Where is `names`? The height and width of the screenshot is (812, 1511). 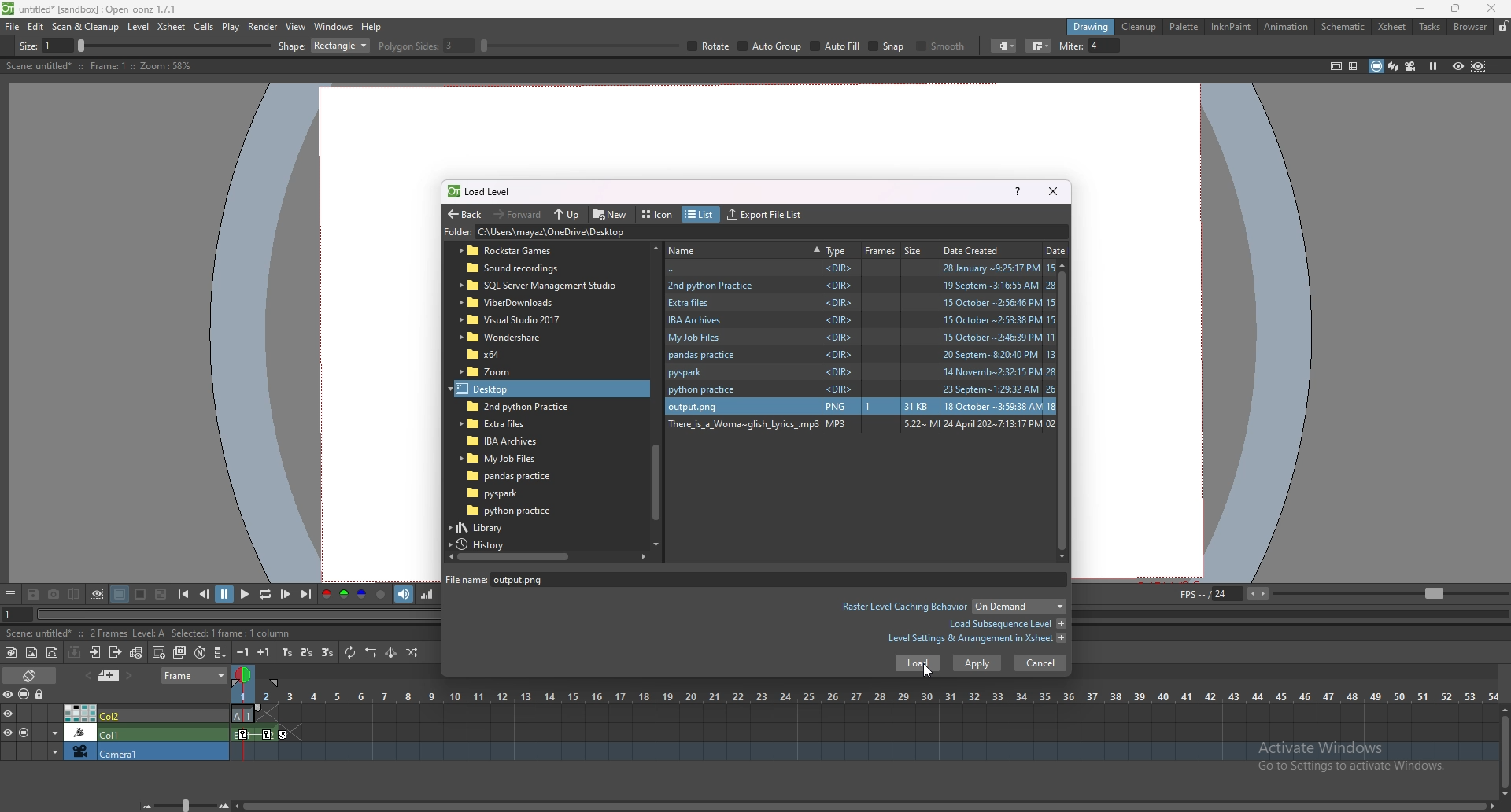
names is located at coordinates (744, 249).